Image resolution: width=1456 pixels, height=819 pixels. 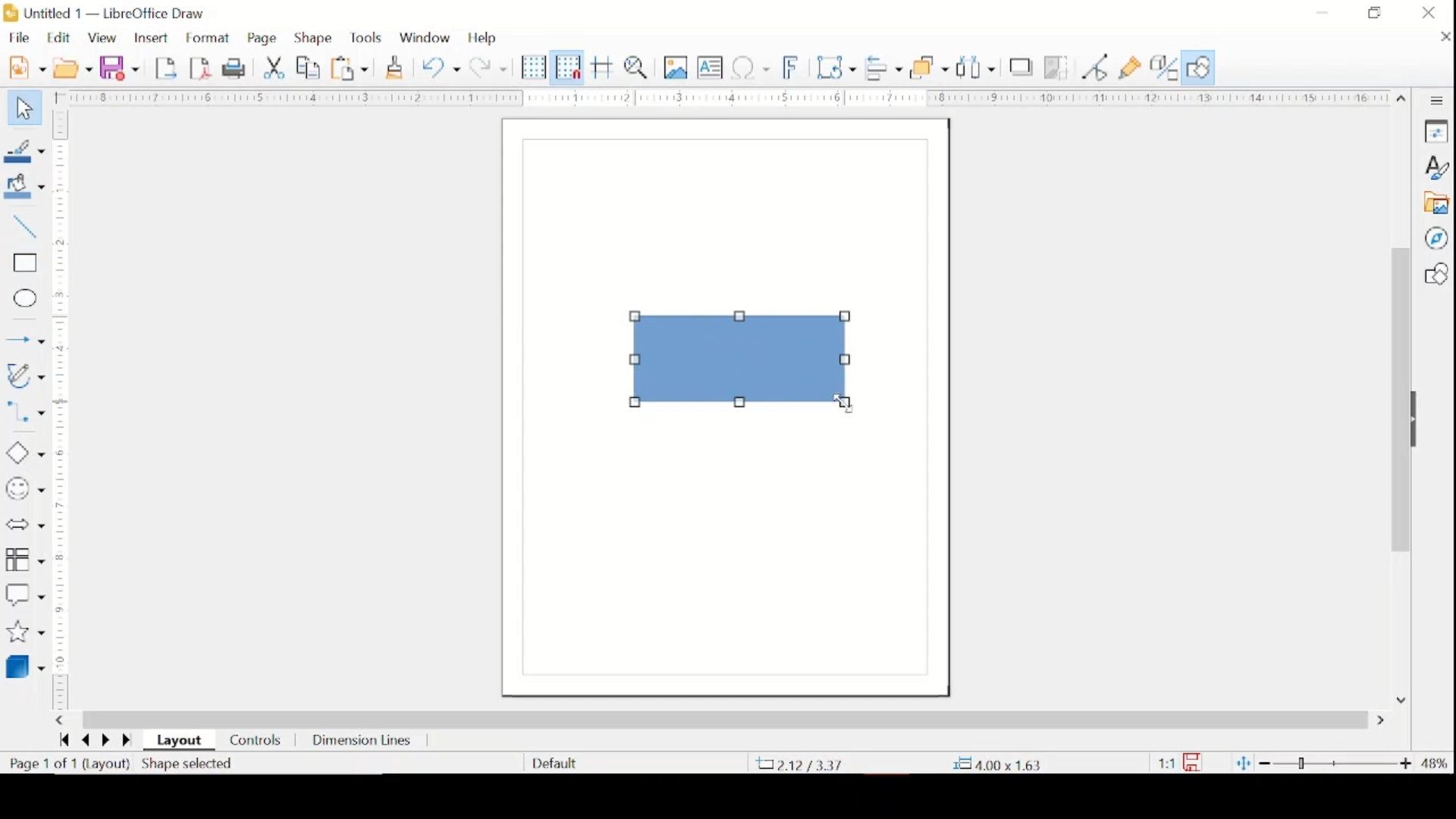 I want to click on toggle extrusions, so click(x=1164, y=69).